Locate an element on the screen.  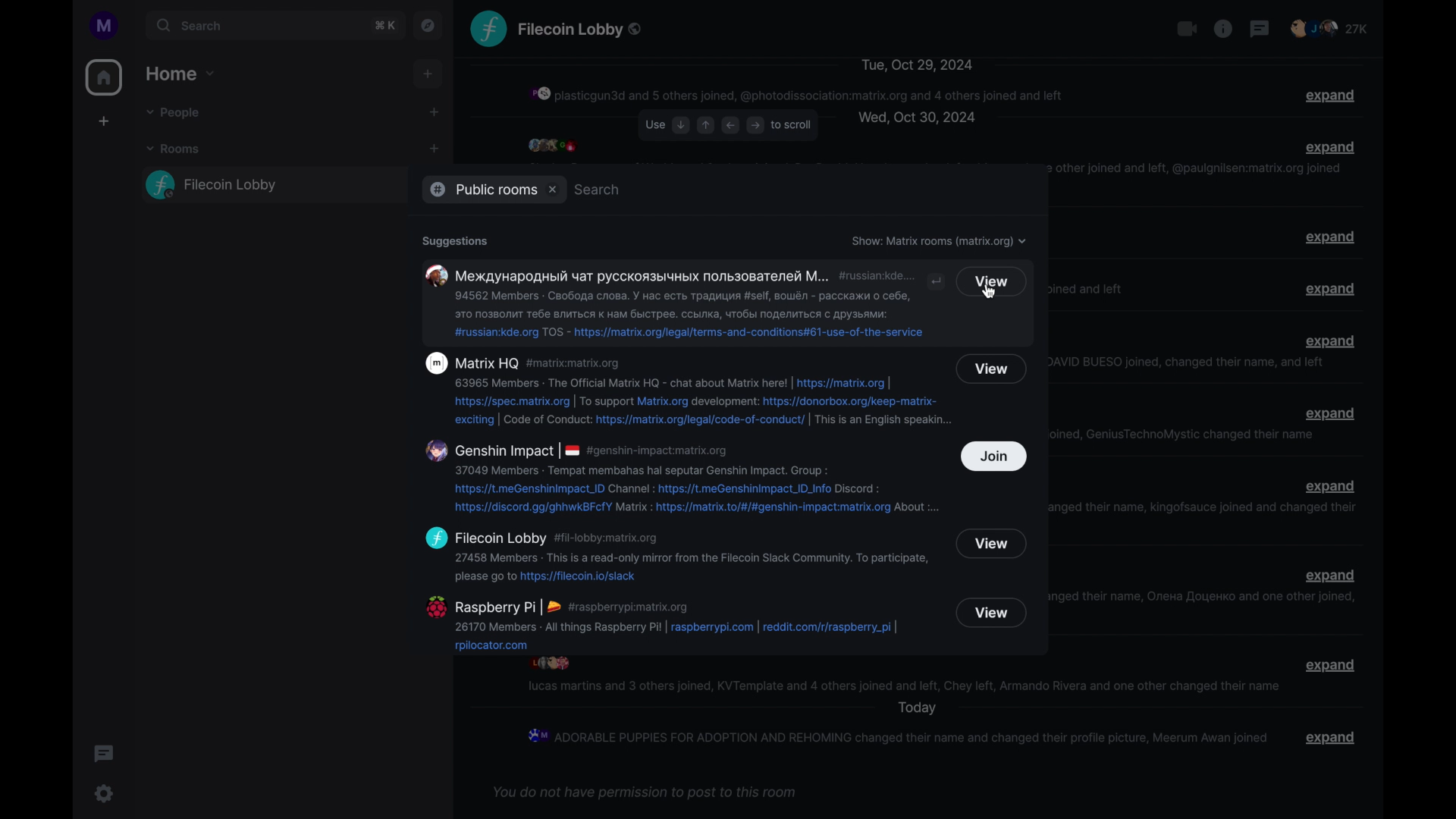
Flecoin lobby is located at coordinates (582, 30).